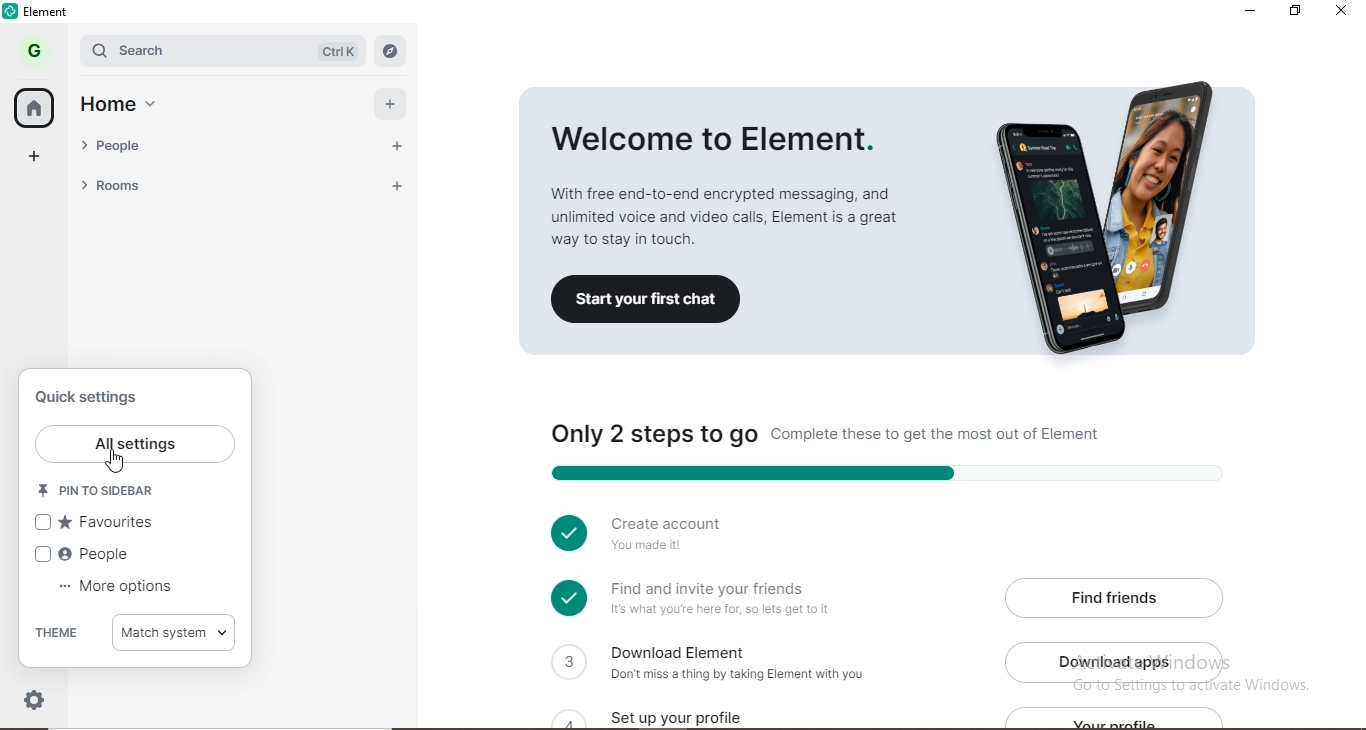 The height and width of the screenshot is (730, 1366). I want to click on close, so click(1343, 12).